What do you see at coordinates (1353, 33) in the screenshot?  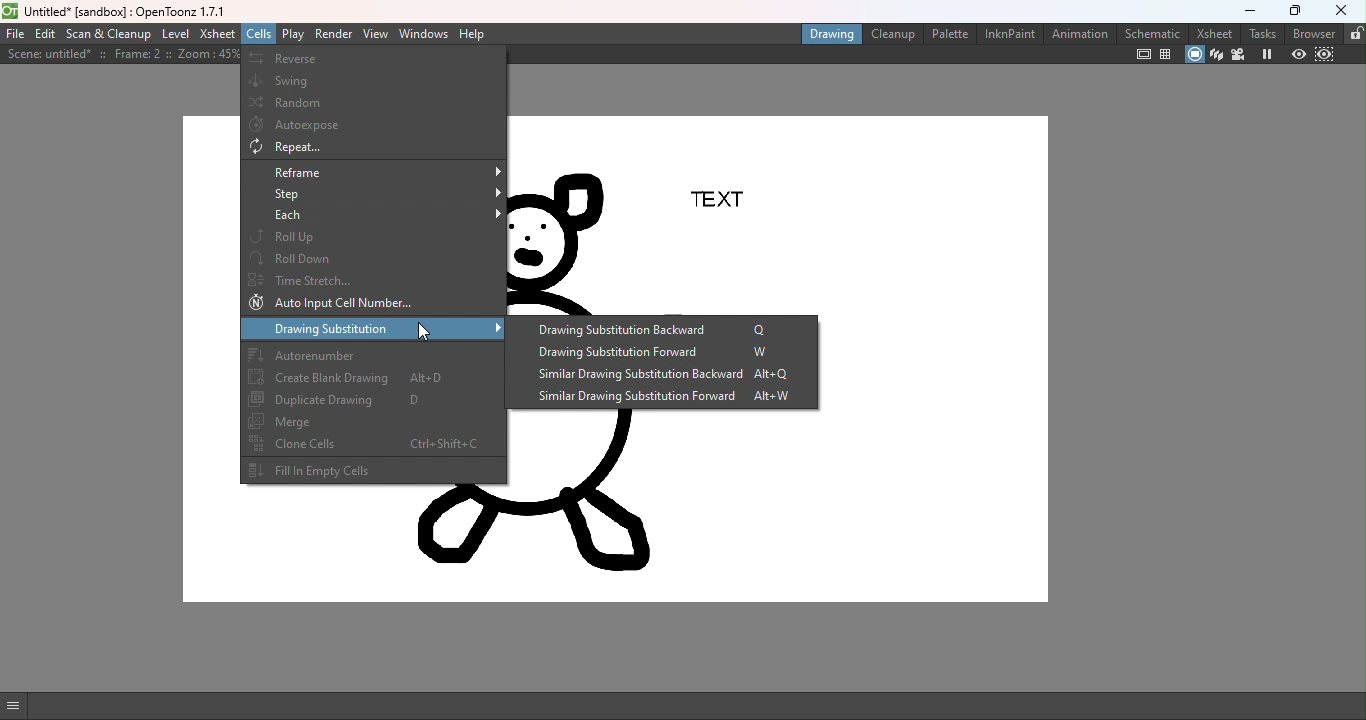 I see `lock rooms tab` at bounding box center [1353, 33].